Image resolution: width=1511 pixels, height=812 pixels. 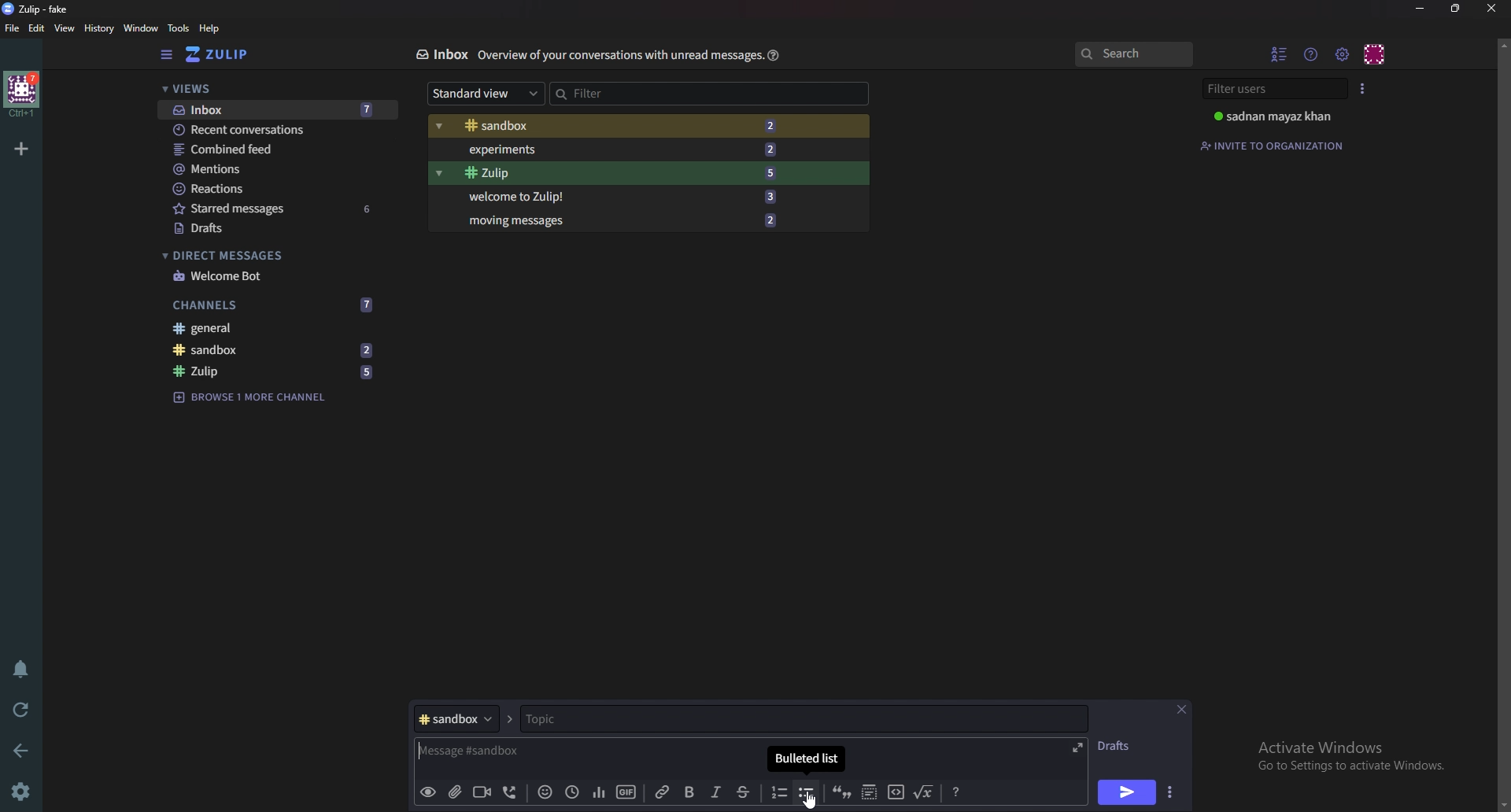 I want to click on bold, so click(x=692, y=793).